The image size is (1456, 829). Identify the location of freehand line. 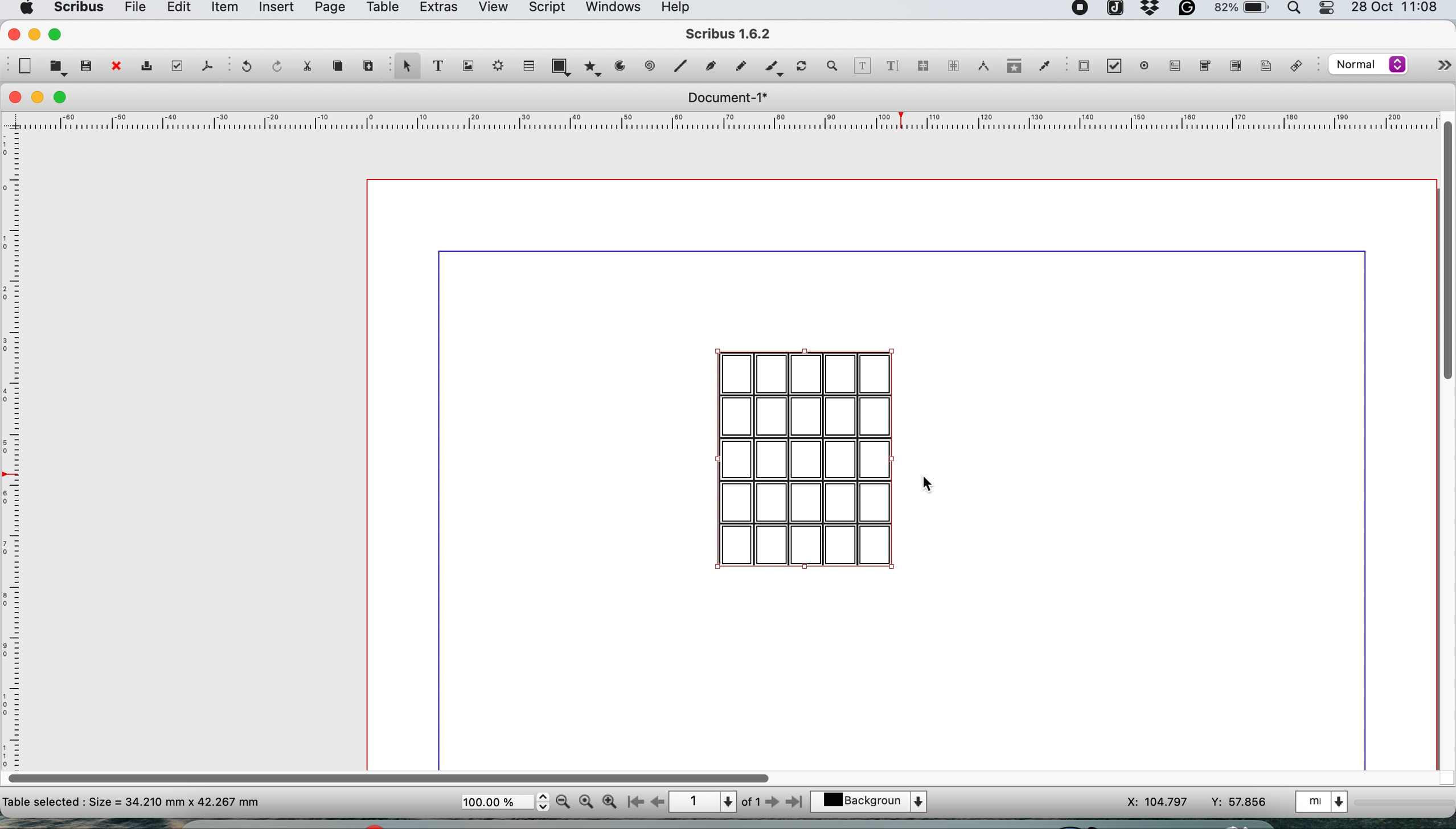
(738, 66).